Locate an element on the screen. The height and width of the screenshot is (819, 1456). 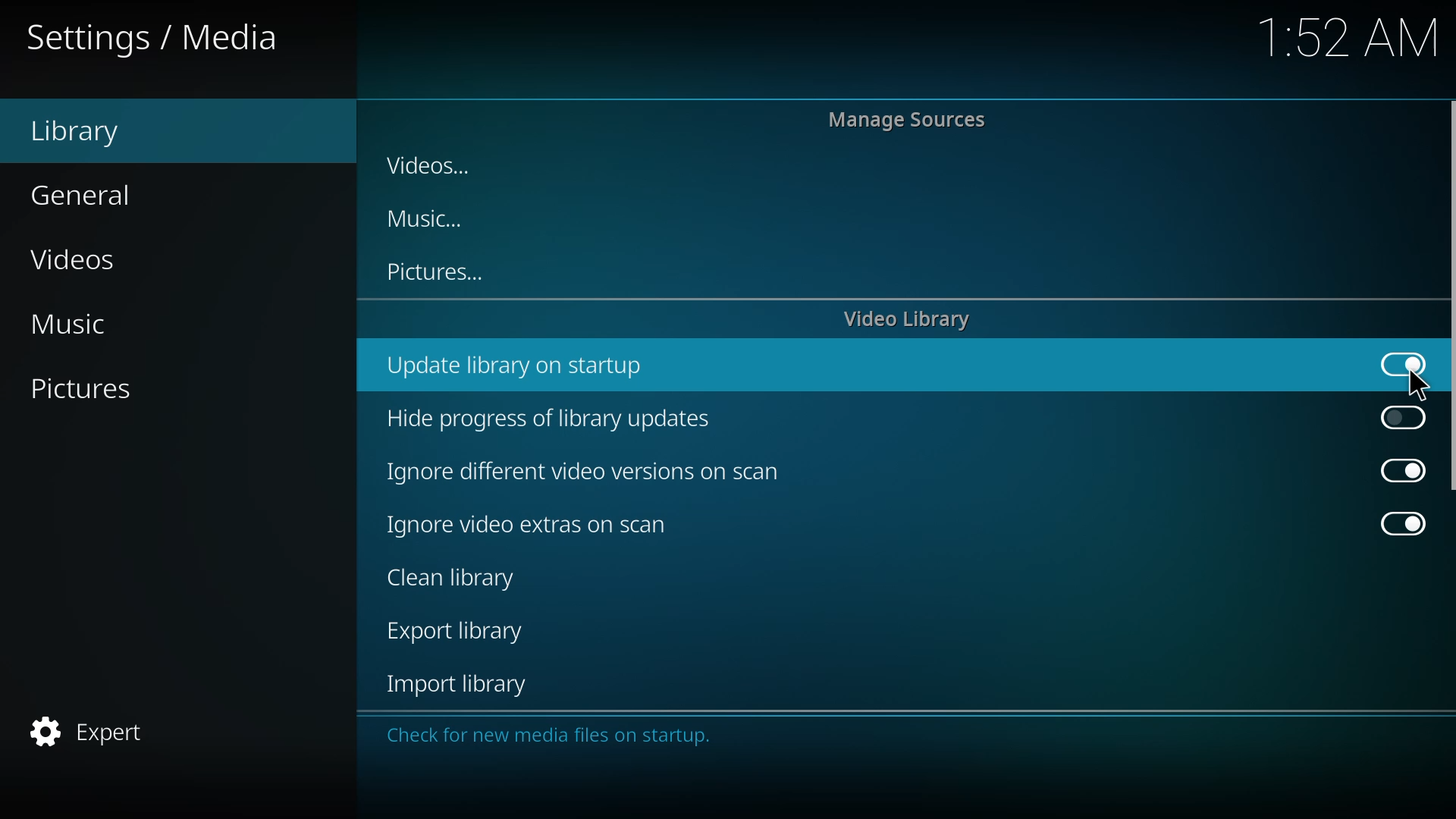
ignore different video versions on scan is located at coordinates (588, 472).